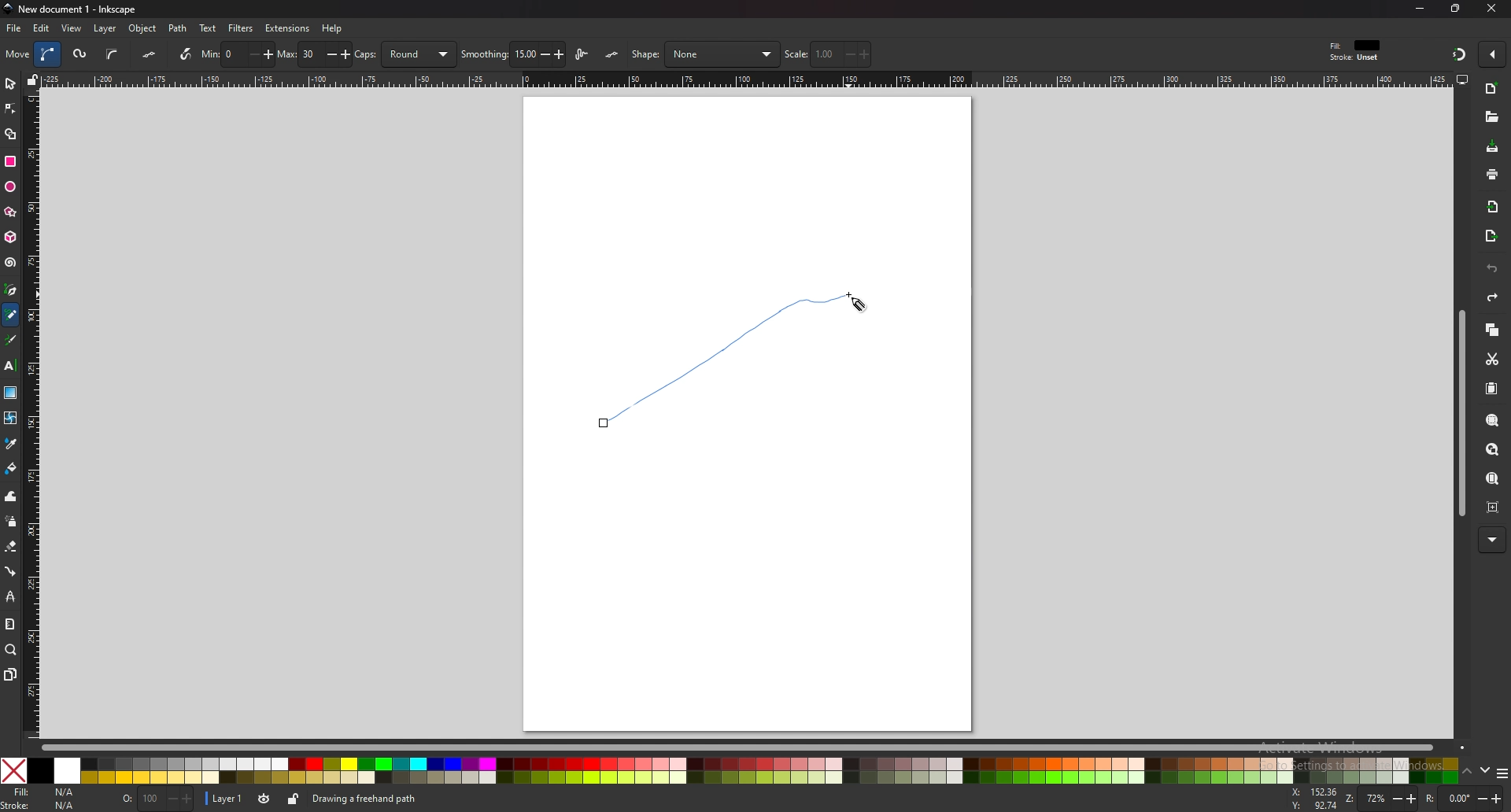 Image resolution: width=1511 pixels, height=812 pixels. Describe the element at coordinates (179, 28) in the screenshot. I see `path` at that location.